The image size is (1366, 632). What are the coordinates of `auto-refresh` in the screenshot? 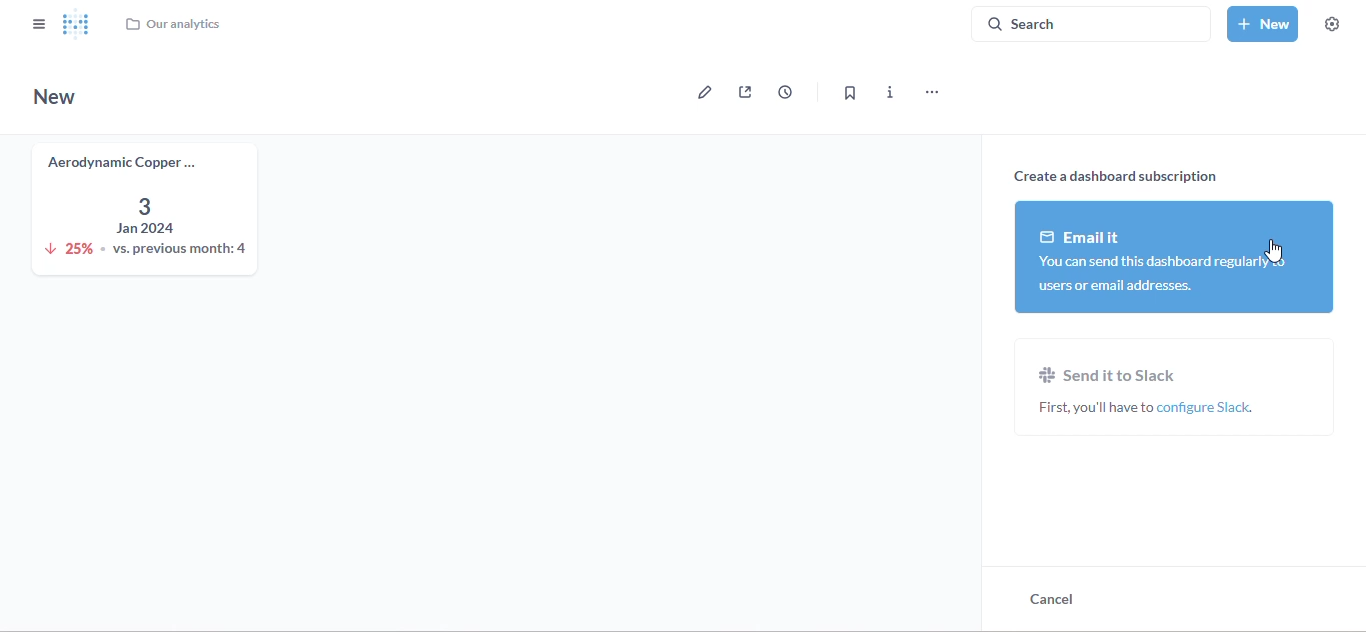 It's located at (785, 91).